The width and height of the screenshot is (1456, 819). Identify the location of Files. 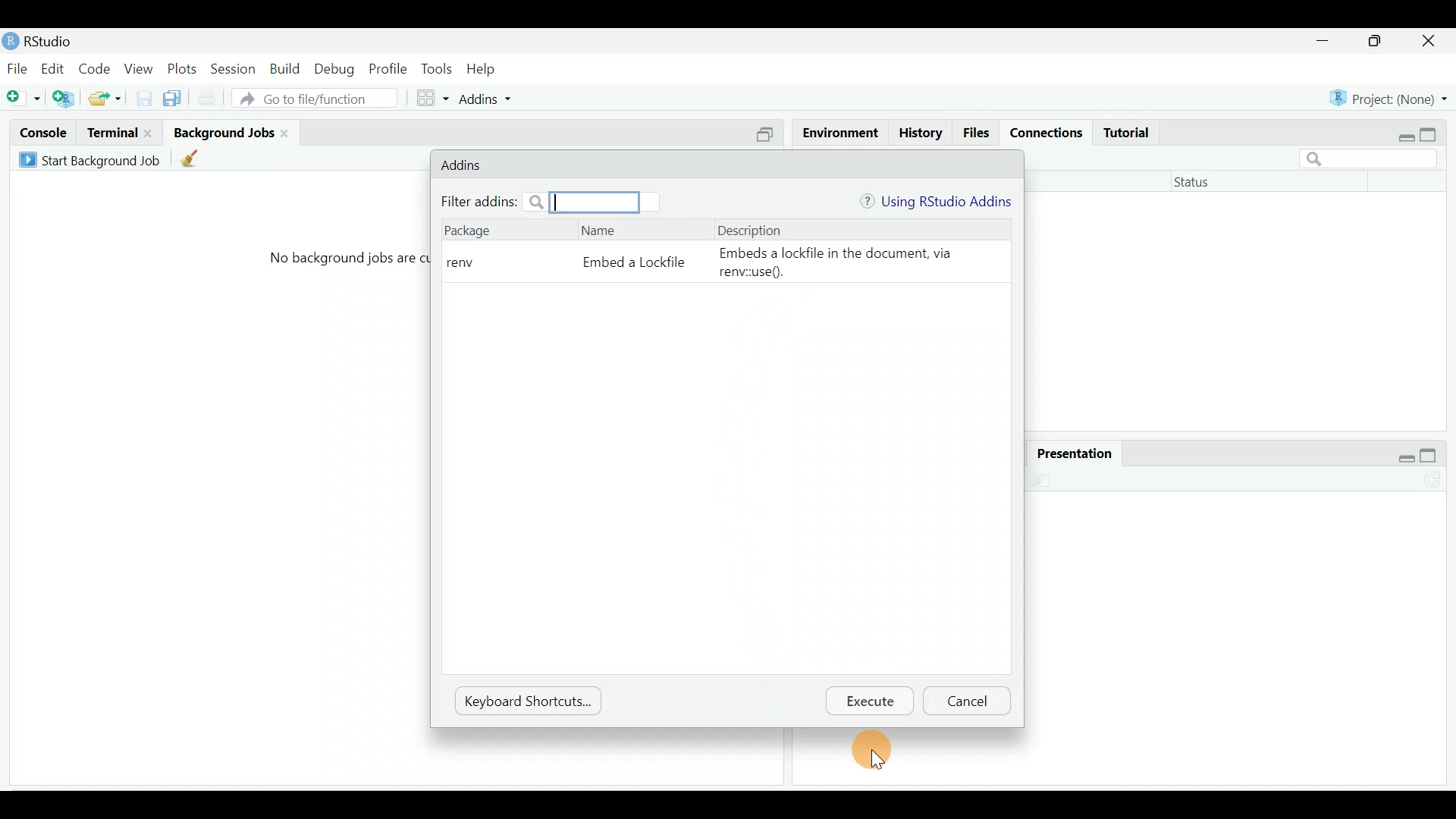
(977, 133).